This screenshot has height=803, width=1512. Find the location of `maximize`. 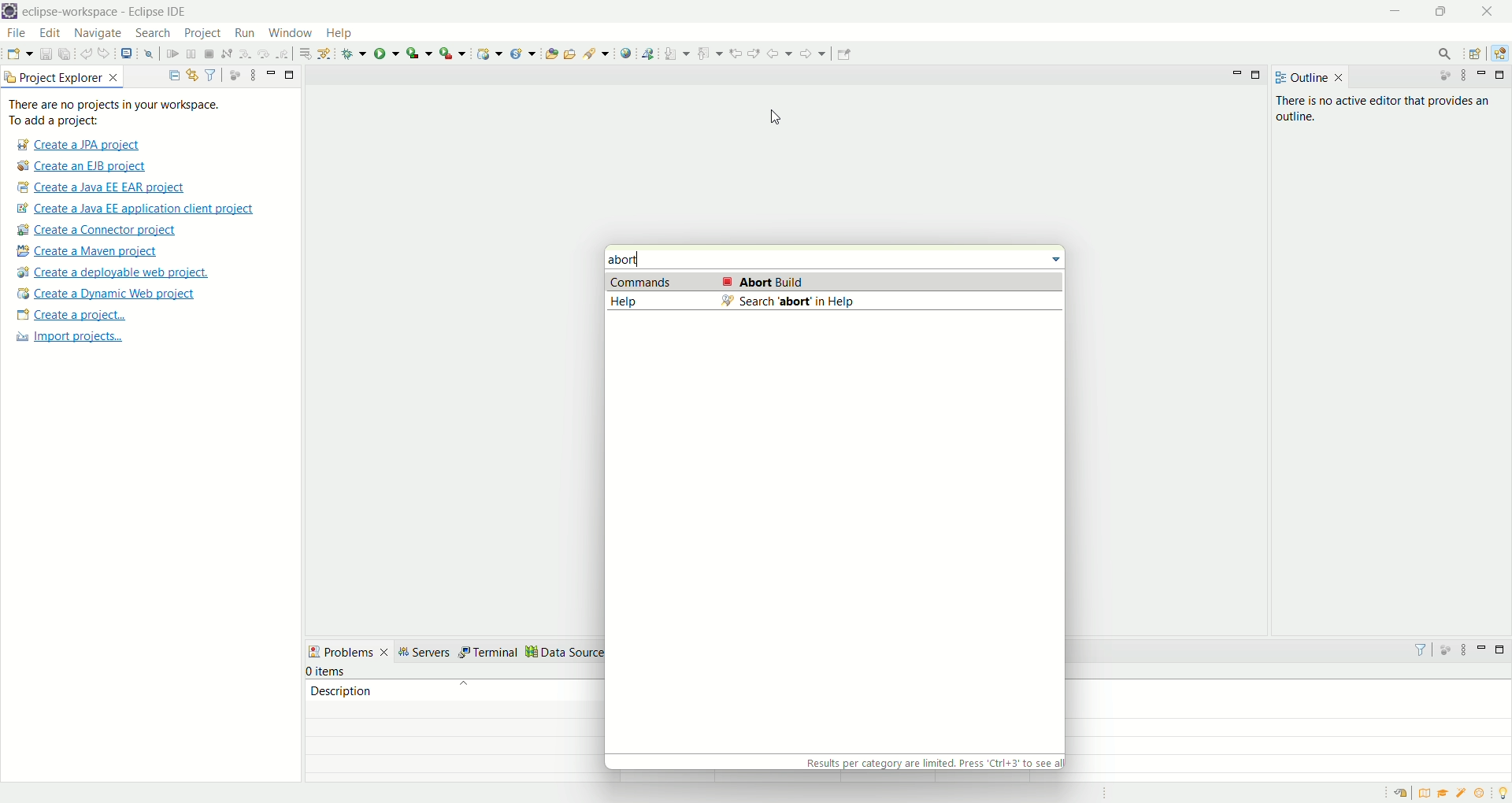

maximize is located at coordinates (1503, 74).